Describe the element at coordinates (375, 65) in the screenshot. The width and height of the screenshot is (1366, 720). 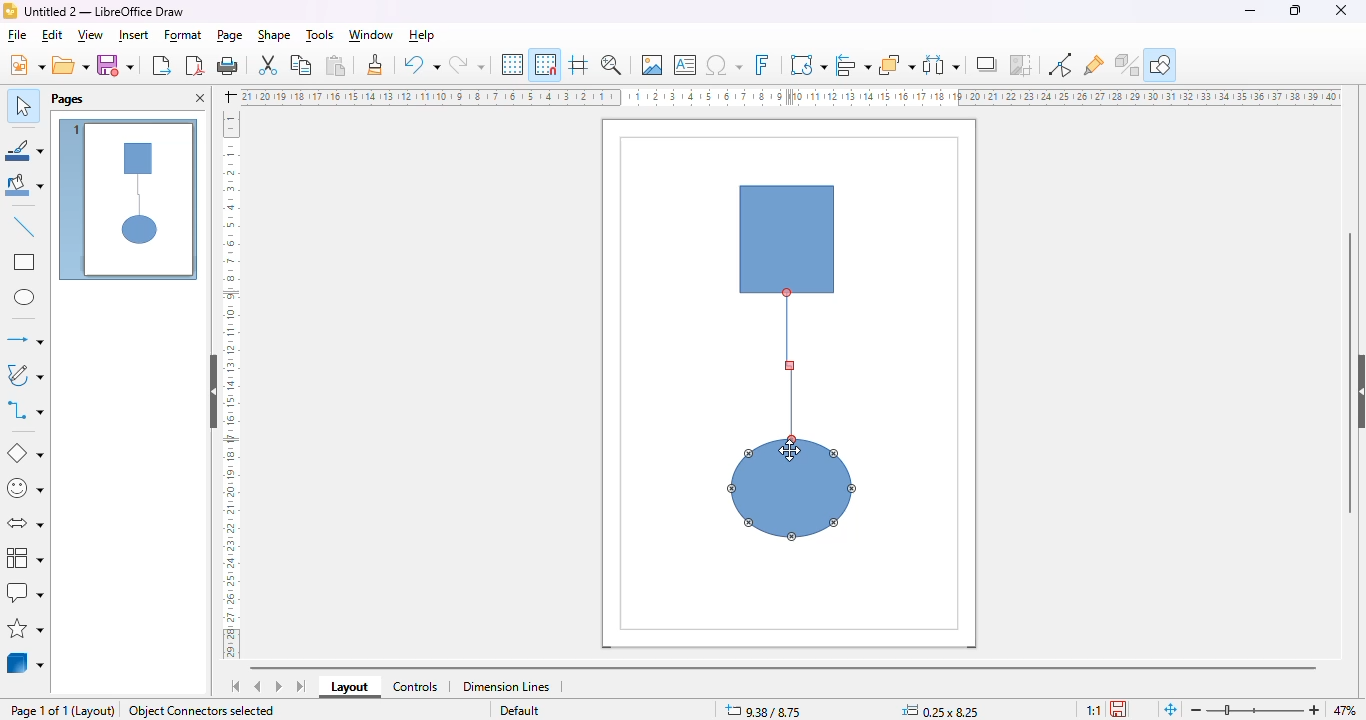
I see `clone formatting` at that location.